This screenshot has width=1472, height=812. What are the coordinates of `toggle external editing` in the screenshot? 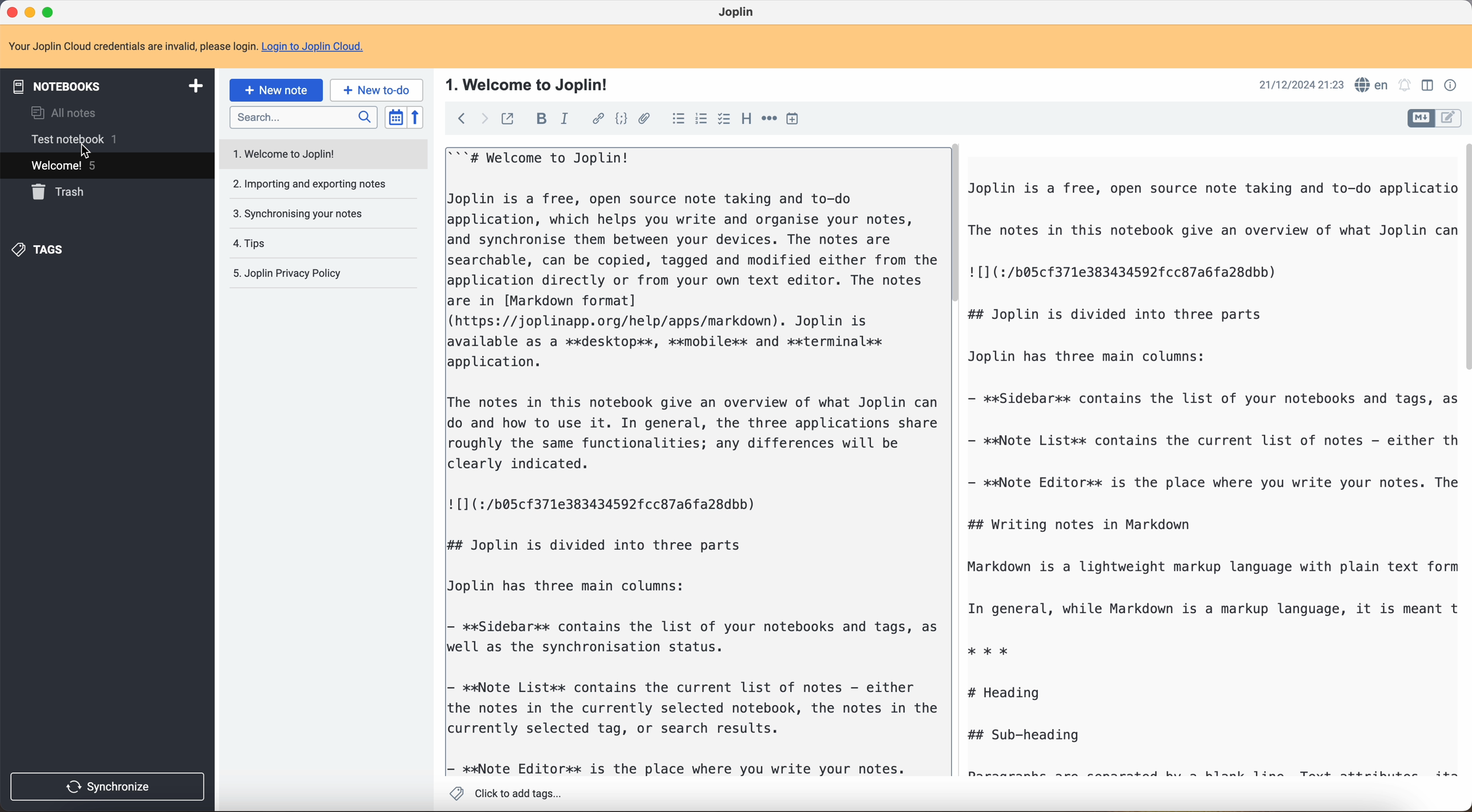 It's located at (509, 120).